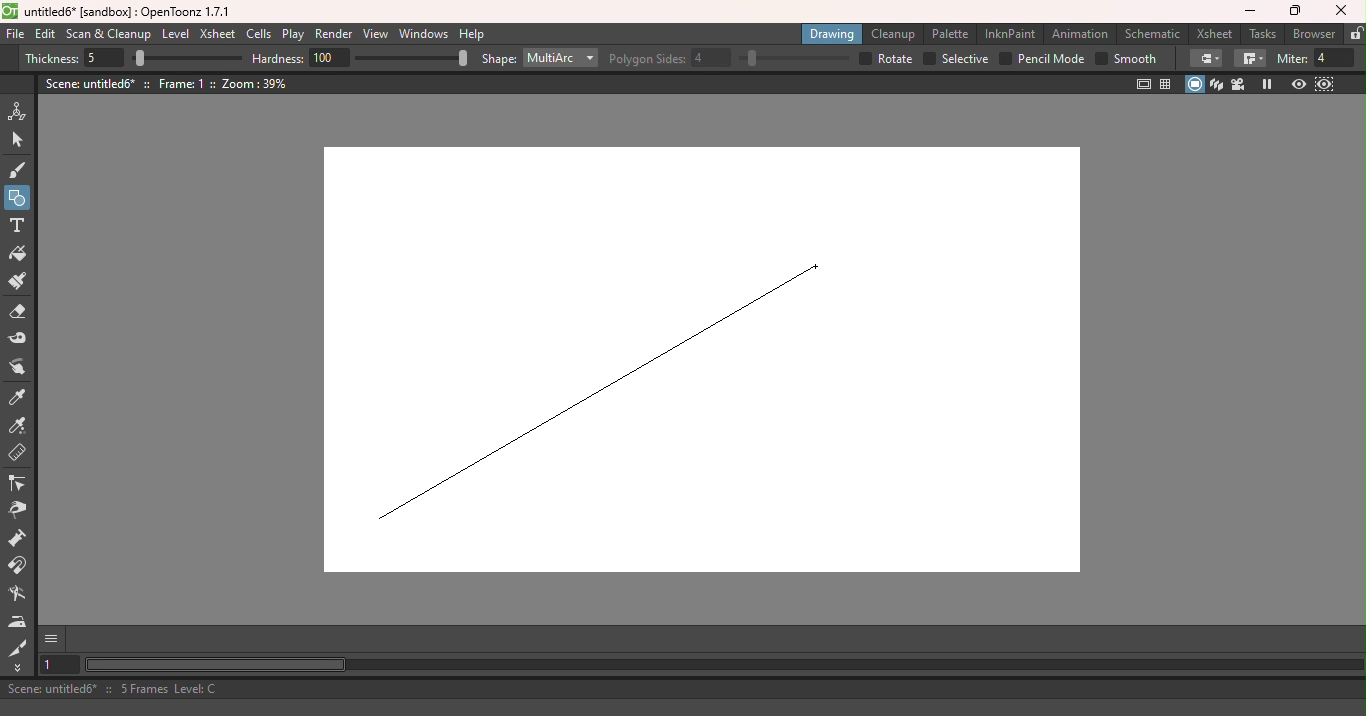 This screenshot has height=716, width=1366. Describe the element at coordinates (17, 595) in the screenshot. I see `Blender tool` at that location.